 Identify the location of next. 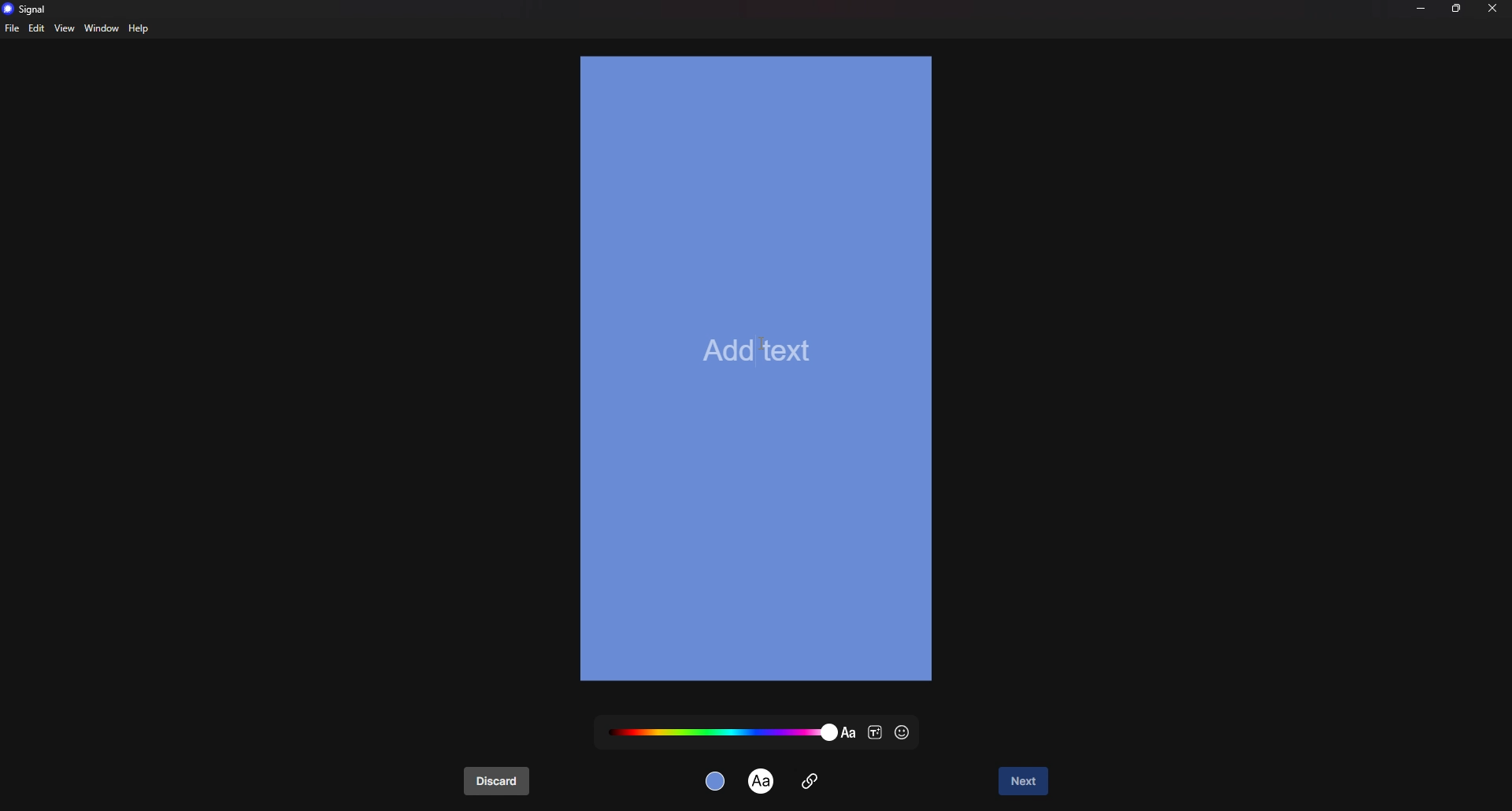
(1022, 783).